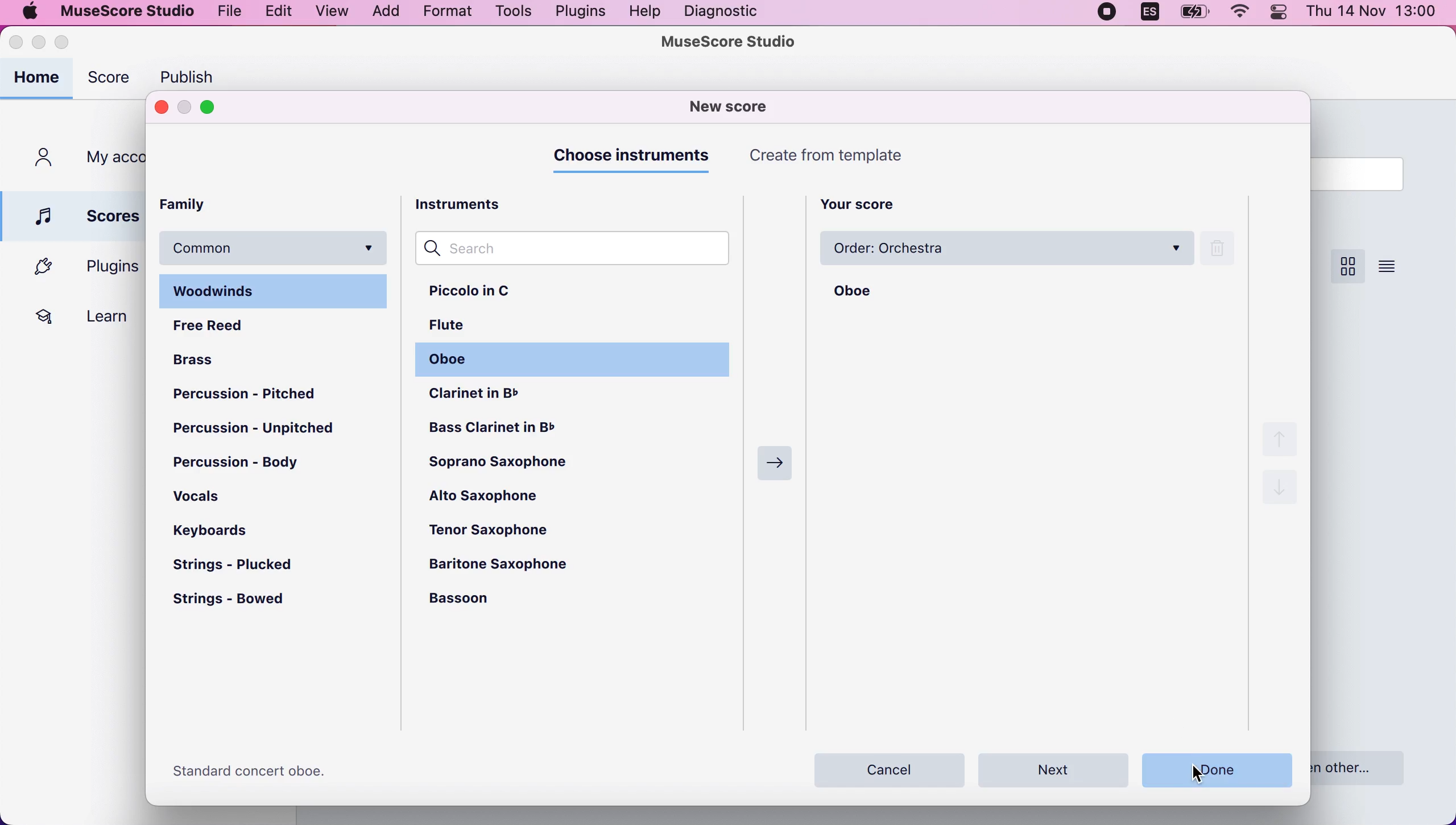 The image size is (1456, 825). I want to click on search, so click(584, 250).